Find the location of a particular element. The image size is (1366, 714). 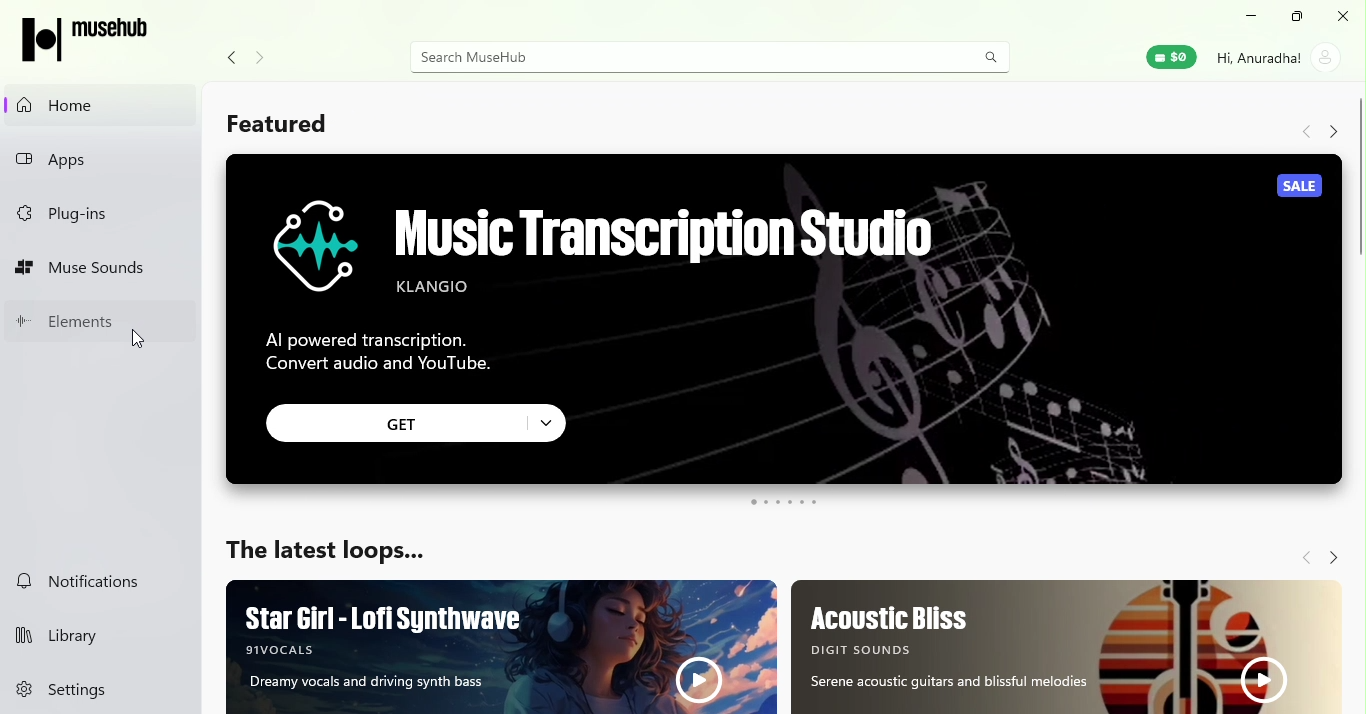

Minimize is located at coordinates (1246, 17).